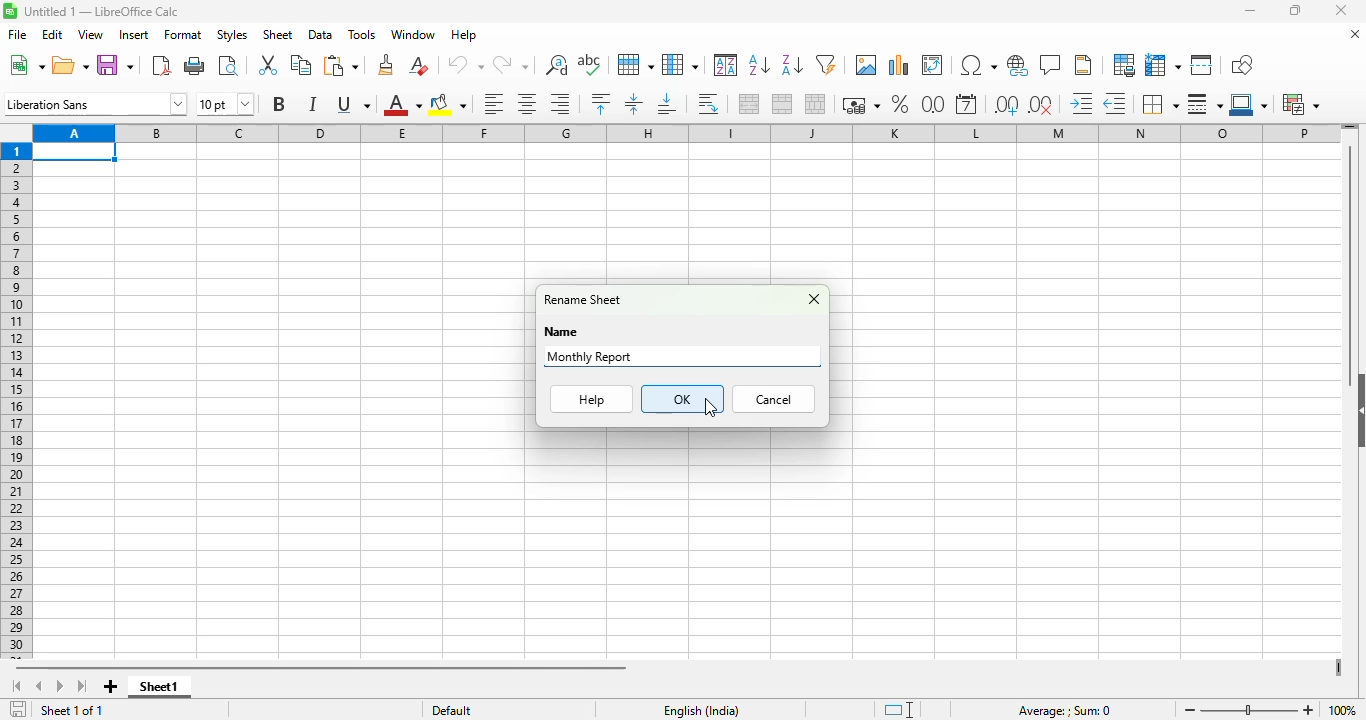 The image size is (1366, 720). Describe the element at coordinates (464, 35) in the screenshot. I see `help` at that location.